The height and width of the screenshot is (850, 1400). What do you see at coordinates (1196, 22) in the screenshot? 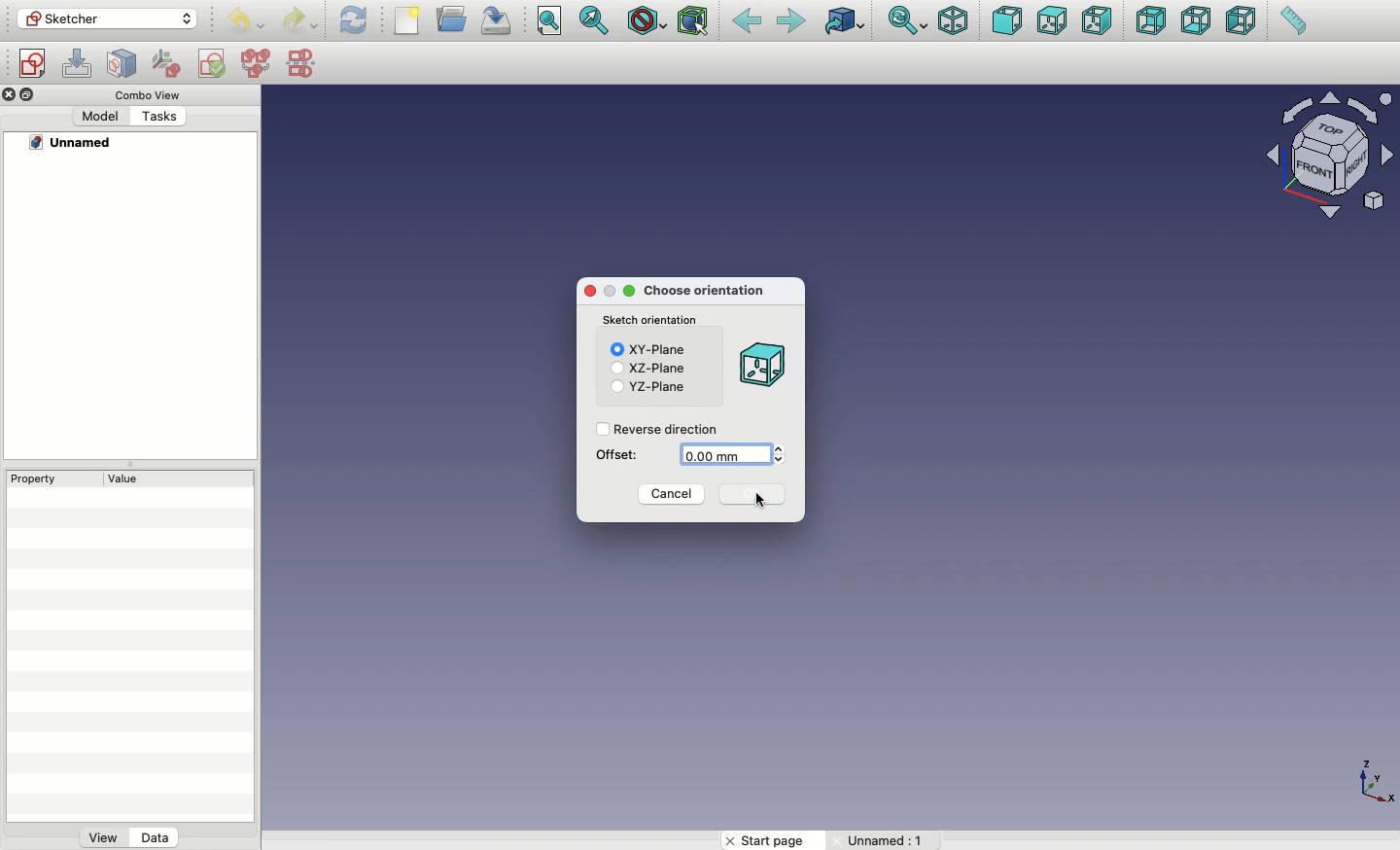
I see `Bottom` at bounding box center [1196, 22].